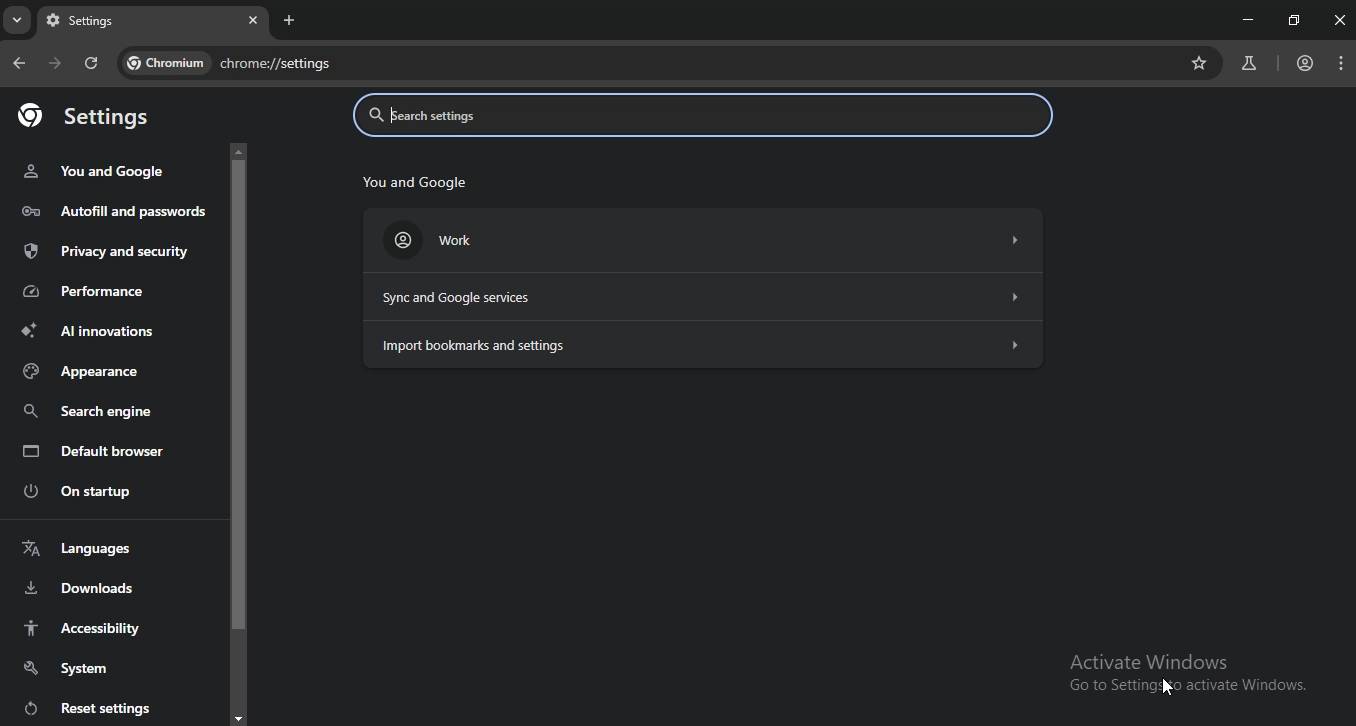  What do you see at coordinates (87, 291) in the screenshot?
I see `Performance` at bounding box center [87, 291].